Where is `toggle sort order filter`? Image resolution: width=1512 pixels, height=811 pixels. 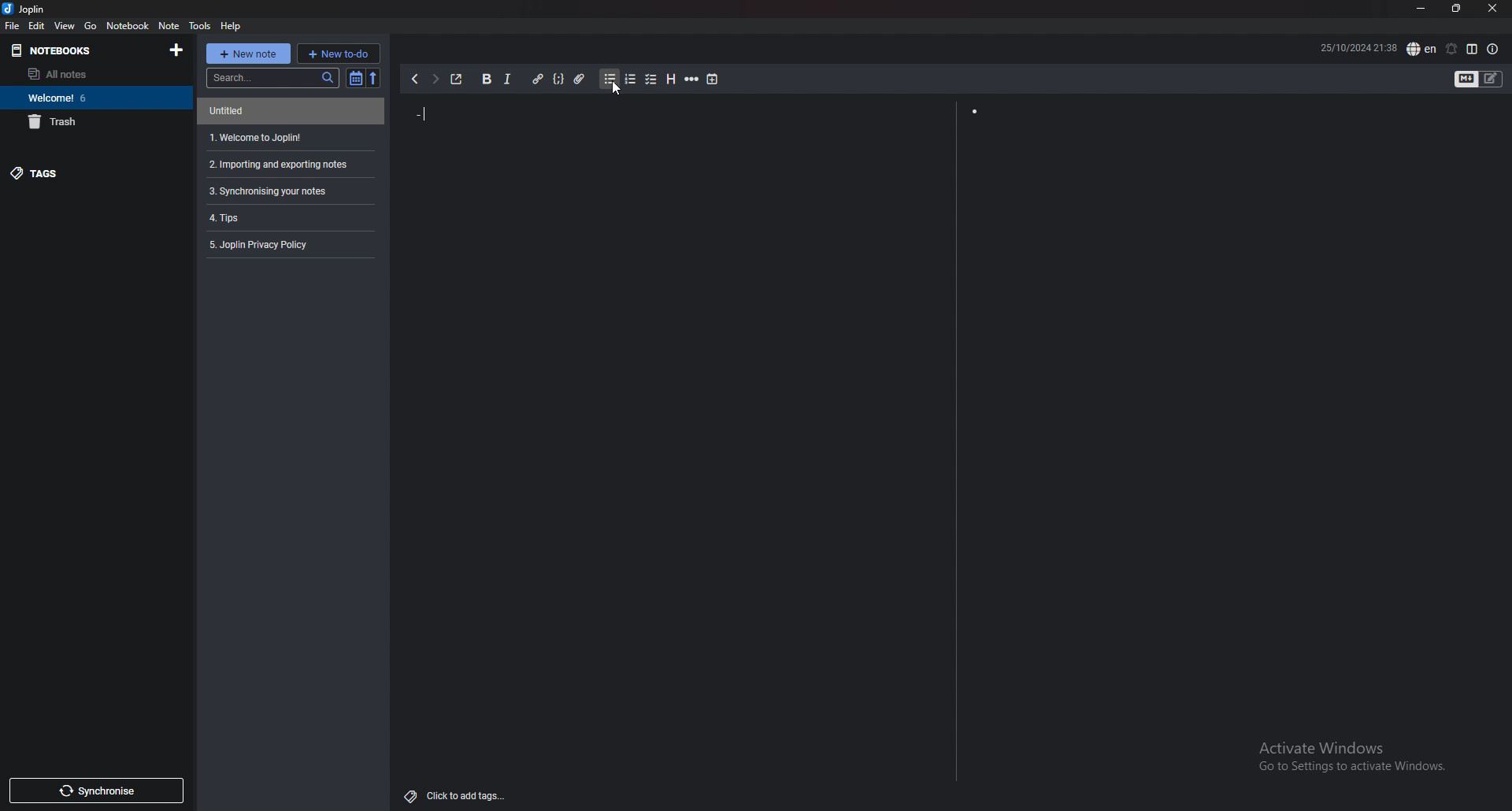 toggle sort order filter is located at coordinates (351, 80).